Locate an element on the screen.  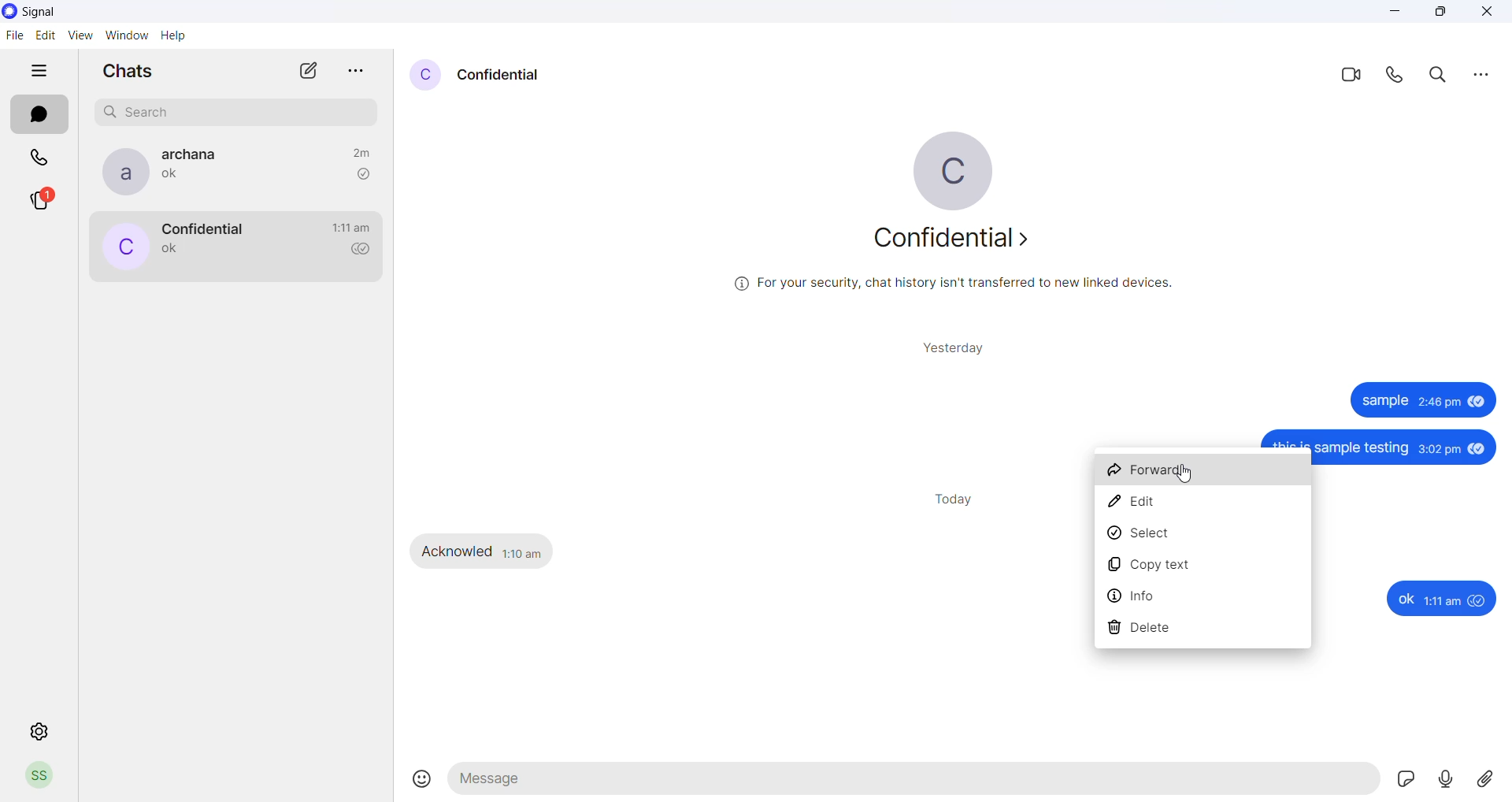
settings is located at coordinates (39, 732).